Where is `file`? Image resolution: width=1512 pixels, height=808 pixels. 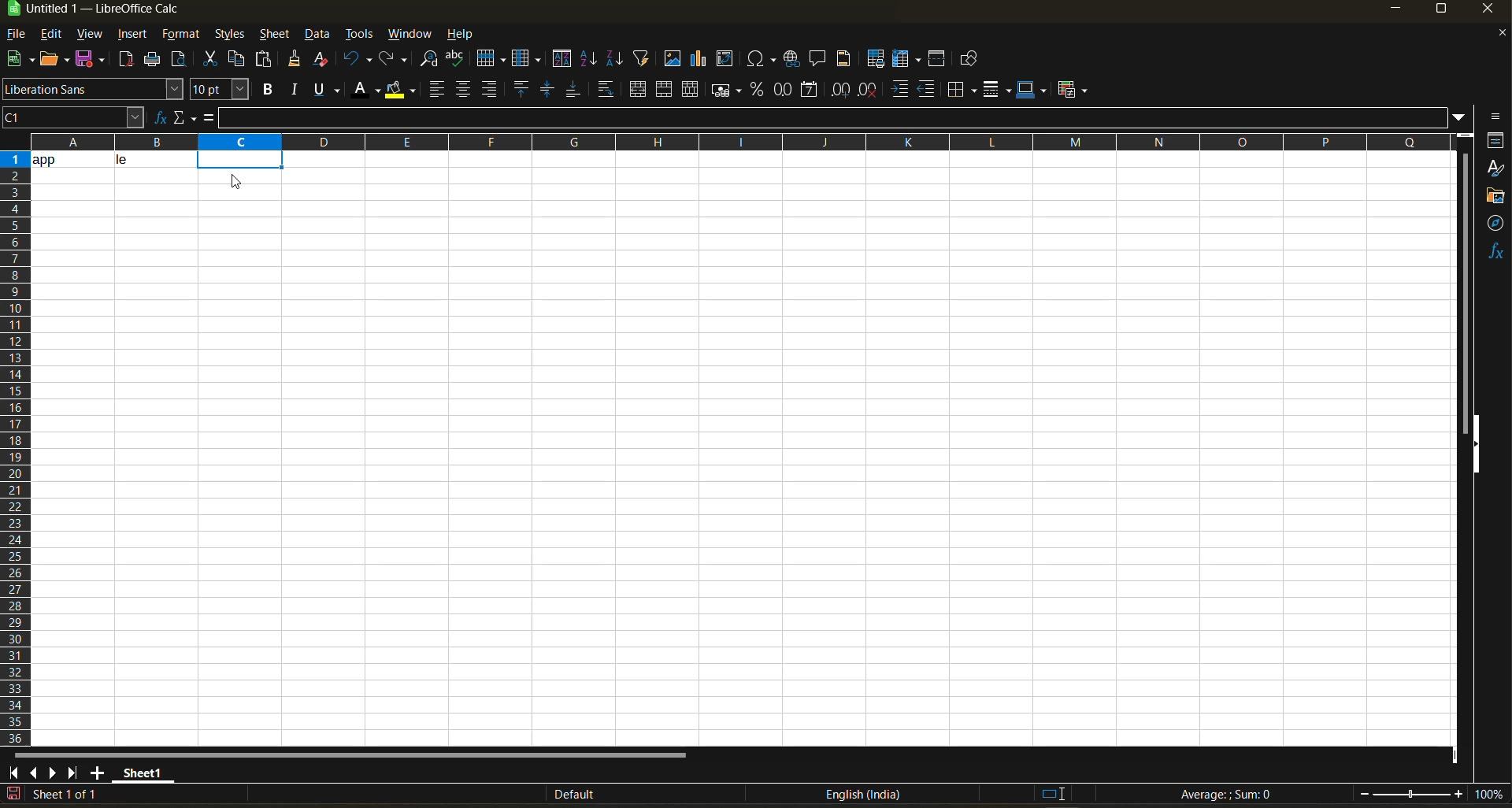
file is located at coordinates (21, 35).